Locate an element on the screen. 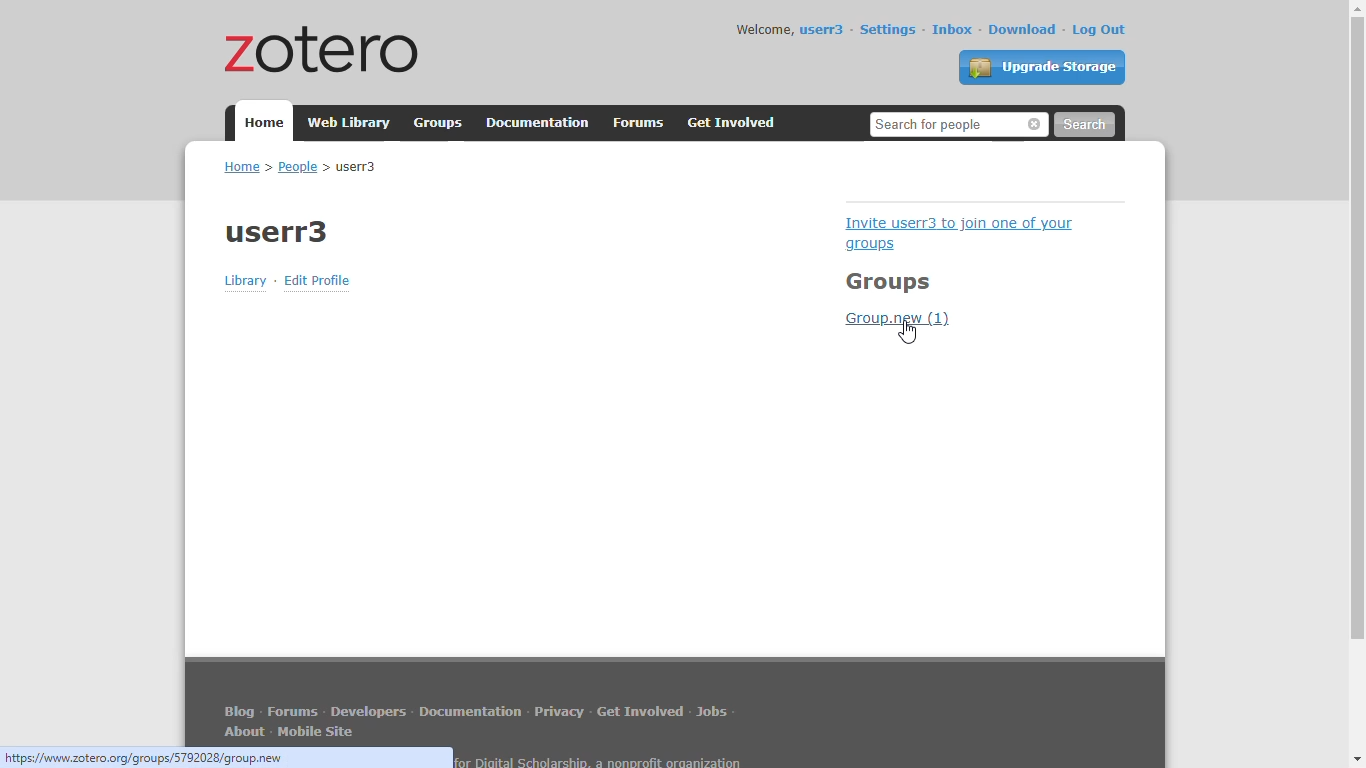 The image size is (1366, 768). blog is located at coordinates (240, 710).